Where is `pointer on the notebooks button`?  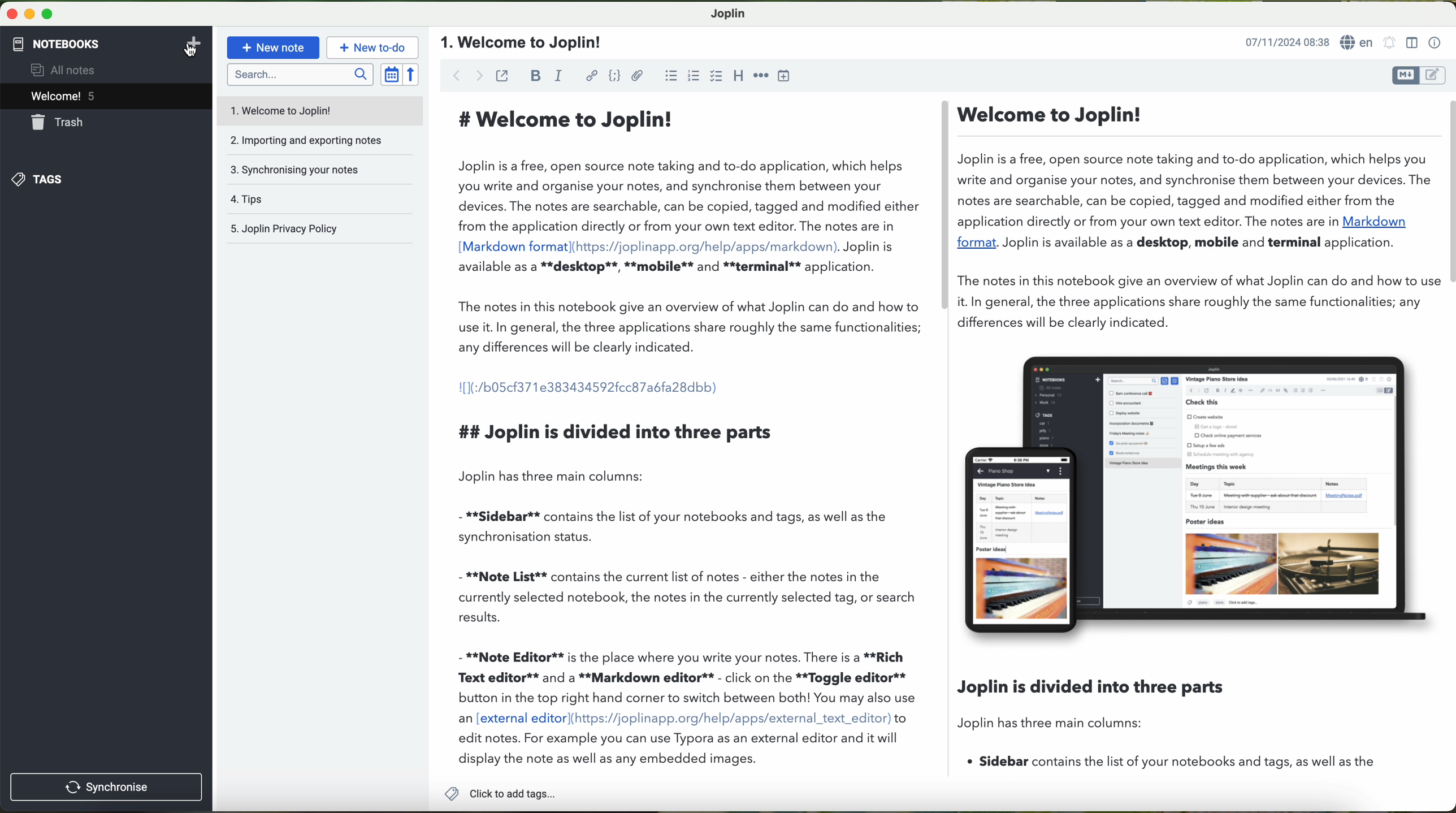 pointer on the notebooks button is located at coordinates (75, 44).